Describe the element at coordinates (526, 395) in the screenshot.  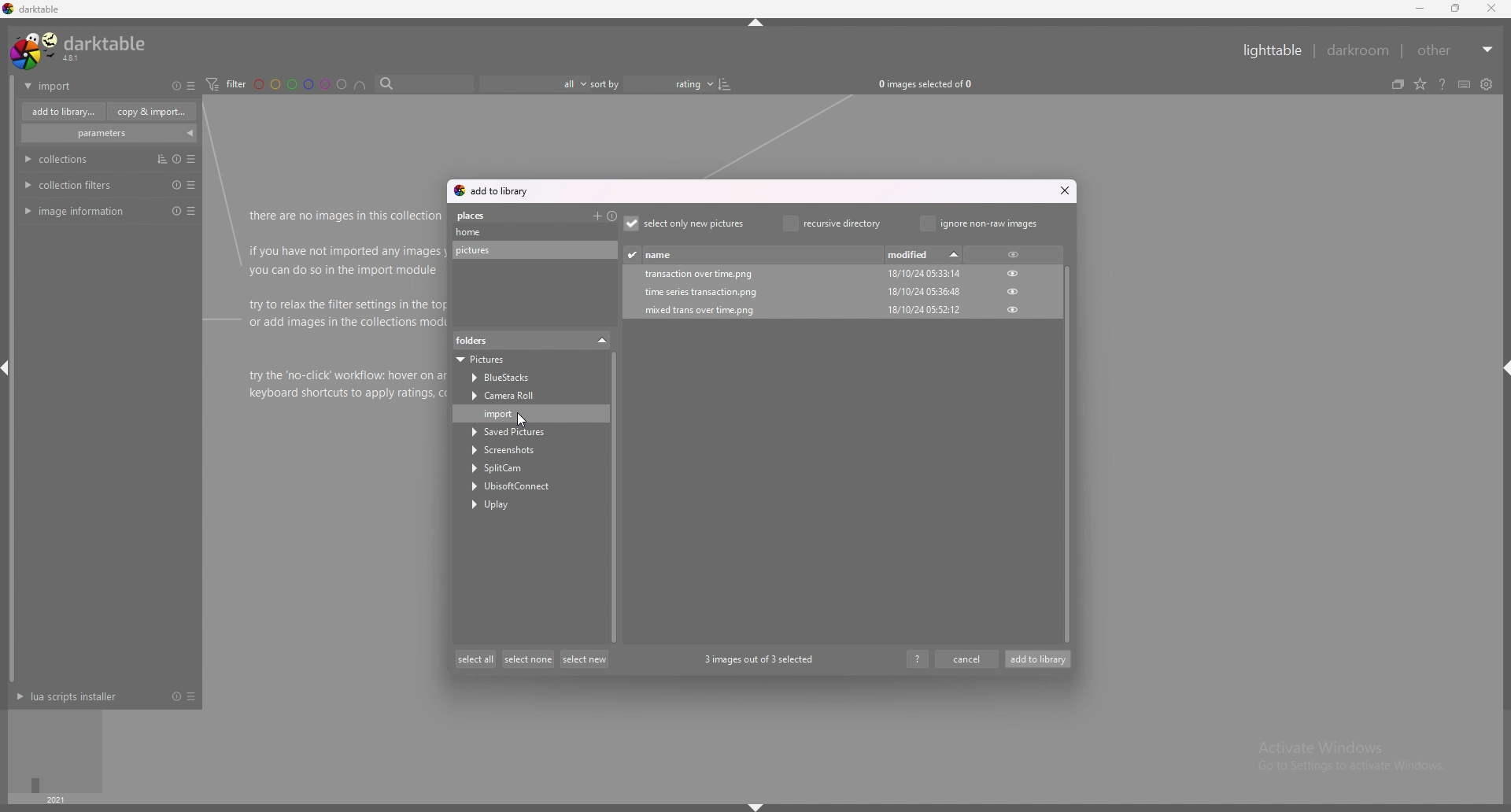
I see `Camera Roll` at that location.